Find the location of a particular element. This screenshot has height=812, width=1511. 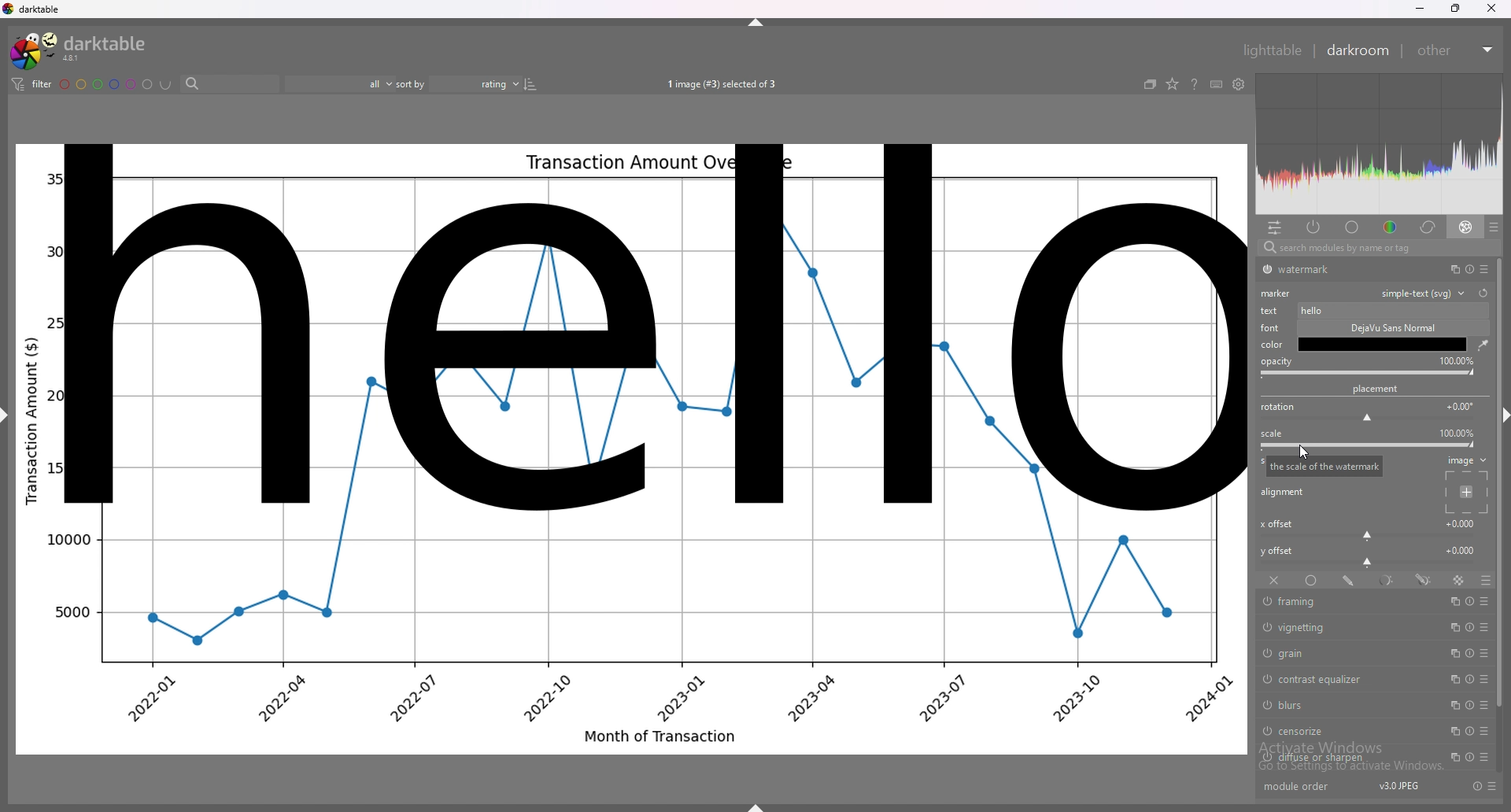

rotation degrees is located at coordinates (1461, 405).